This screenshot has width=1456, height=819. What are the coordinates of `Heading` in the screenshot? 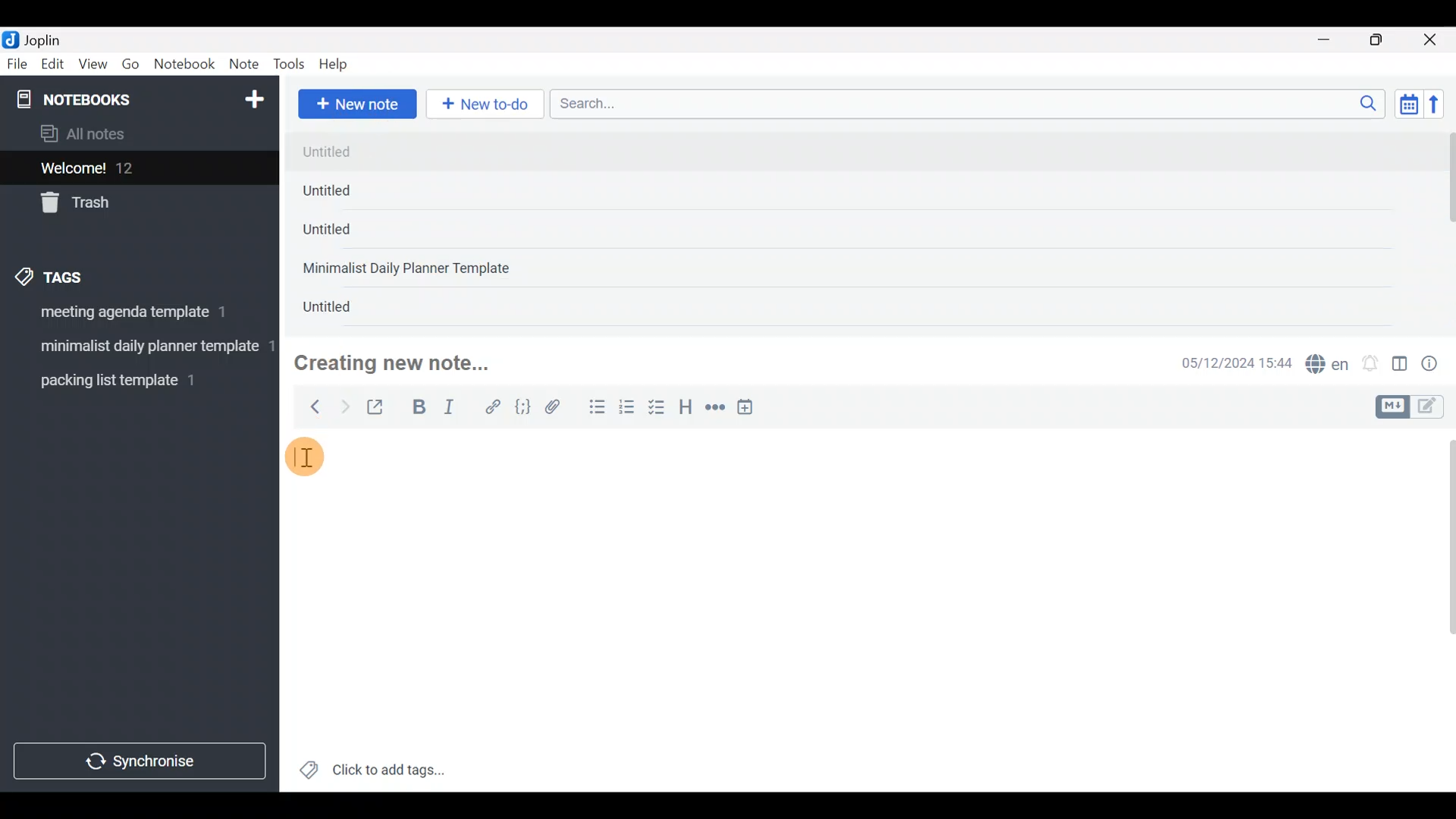 It's located at (686, 409).